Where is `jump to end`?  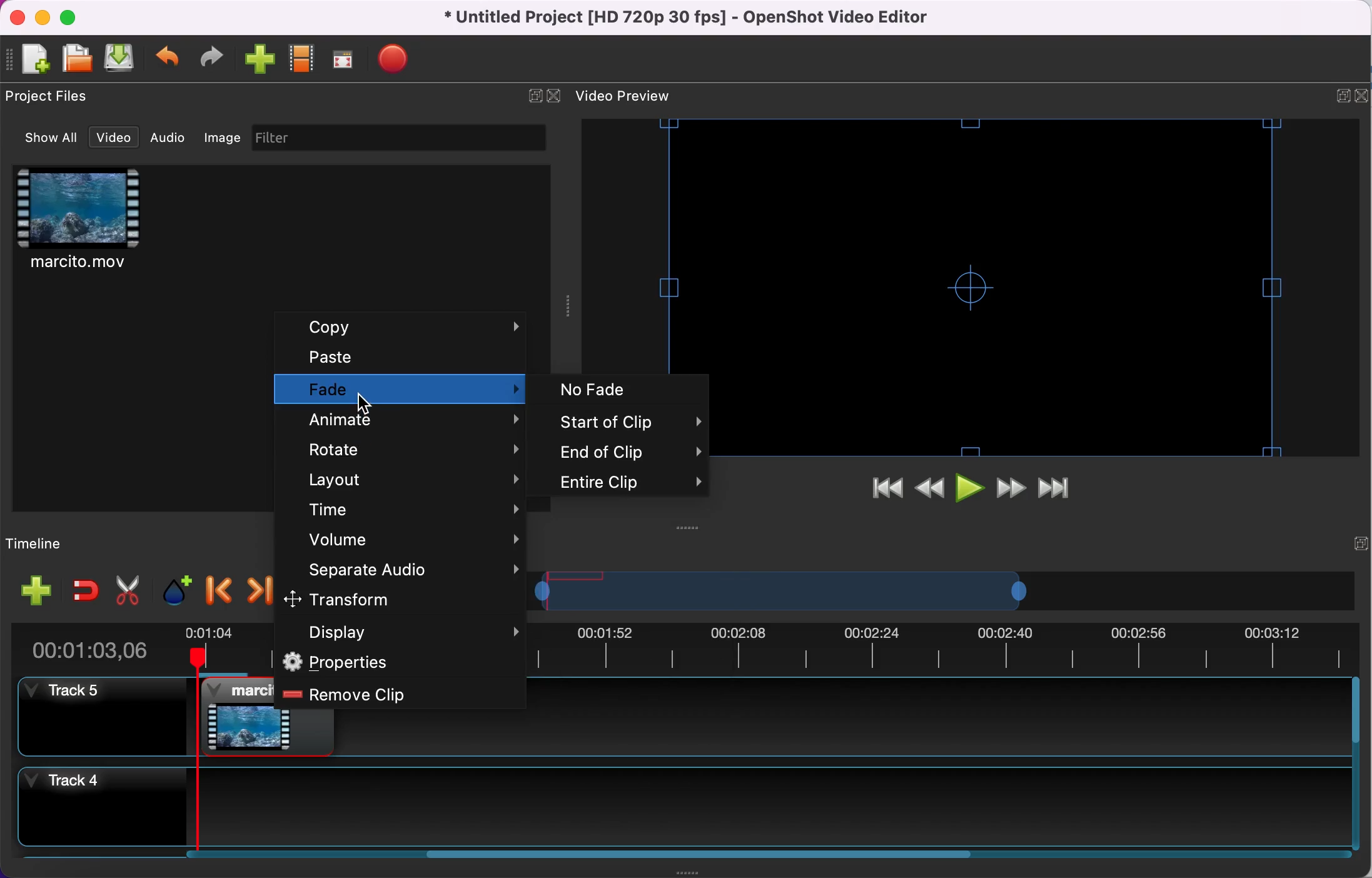
jump to end is located at coordinates (1060, 489).